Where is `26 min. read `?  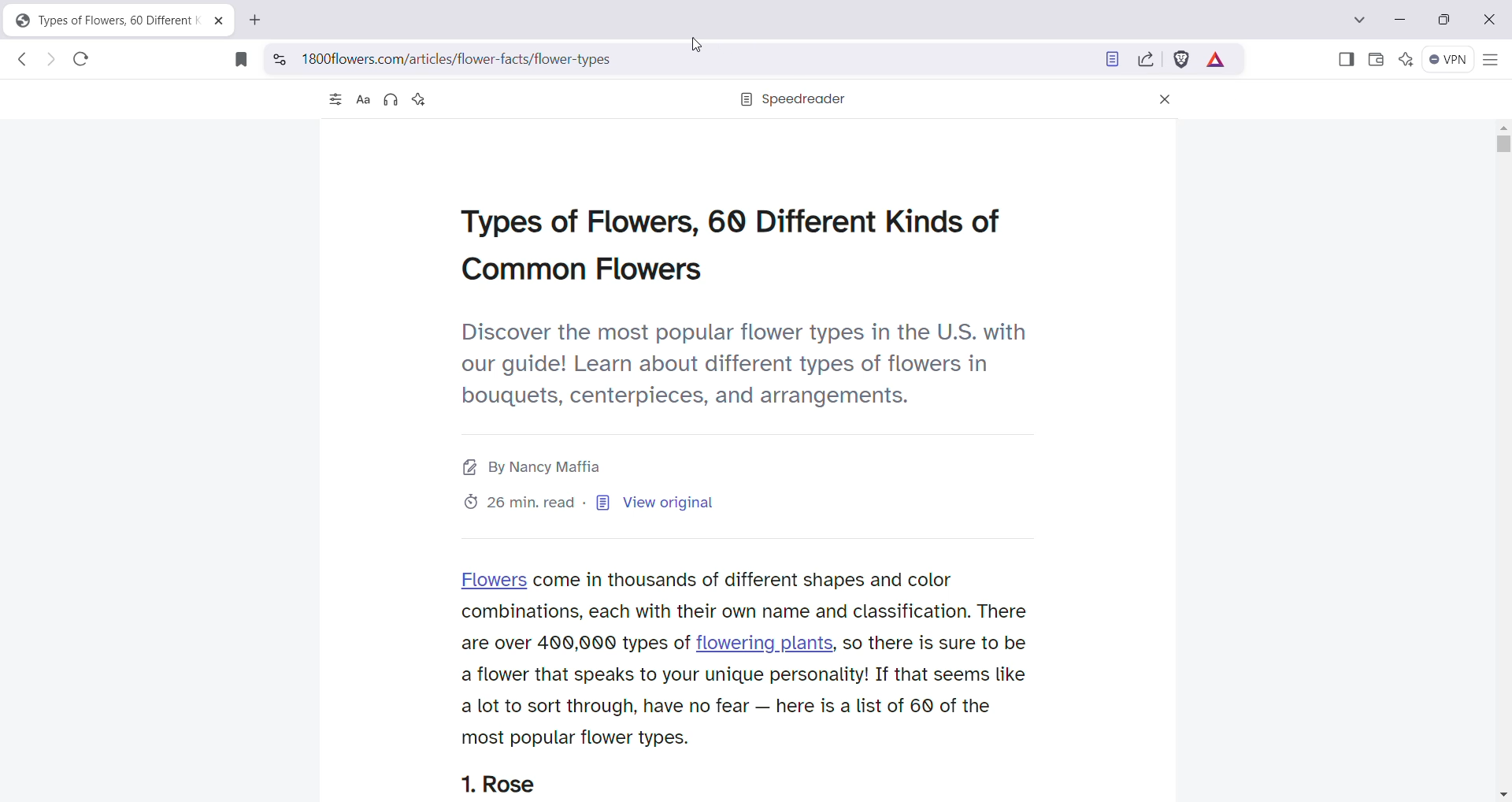
26 min. read  is located at coordinates (522, 503).